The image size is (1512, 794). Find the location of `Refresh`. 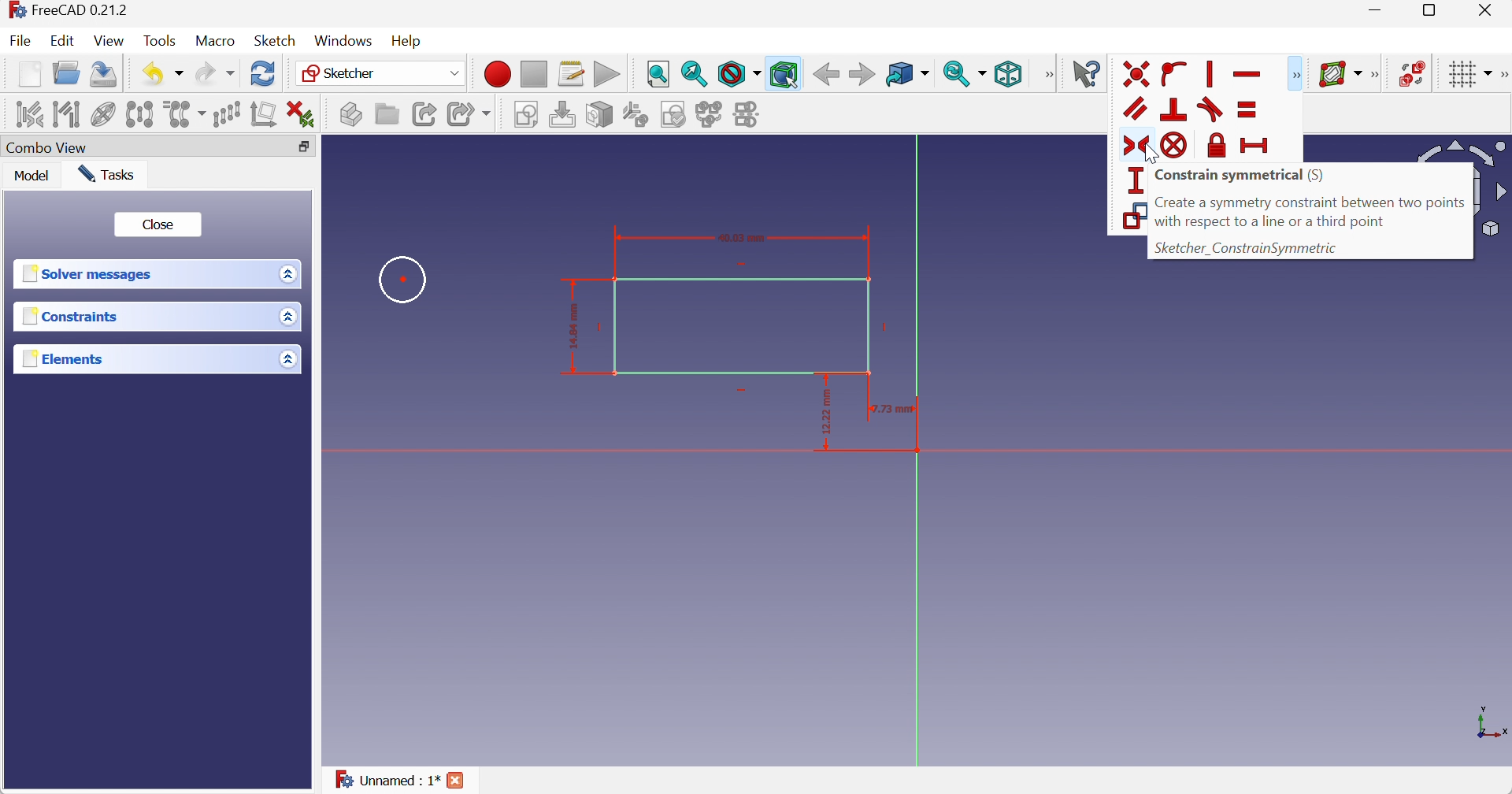

Refresh is located at coordinates (264, 72).